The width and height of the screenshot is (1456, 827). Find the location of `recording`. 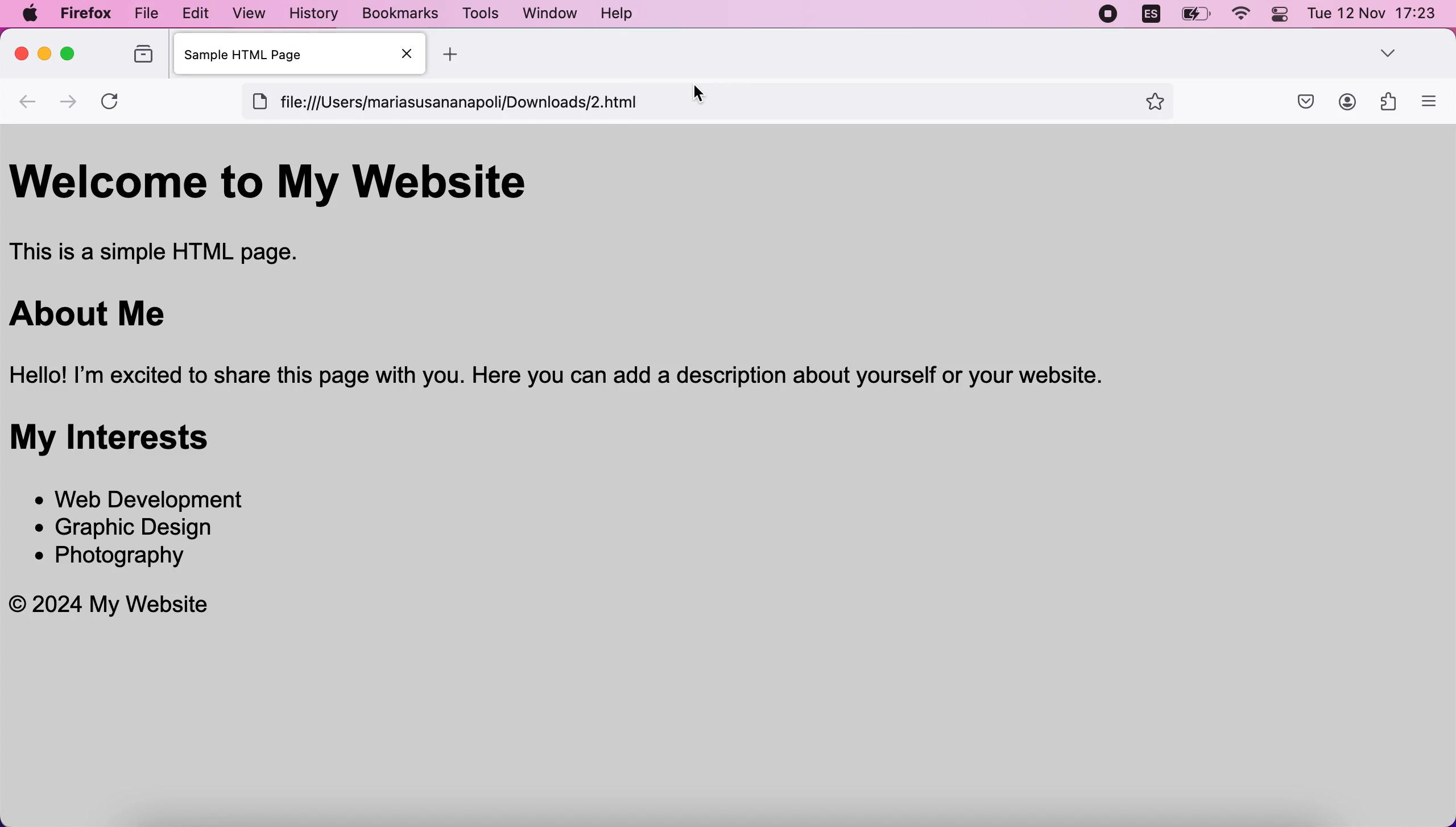

recording is located at coordinates (1107, 16).